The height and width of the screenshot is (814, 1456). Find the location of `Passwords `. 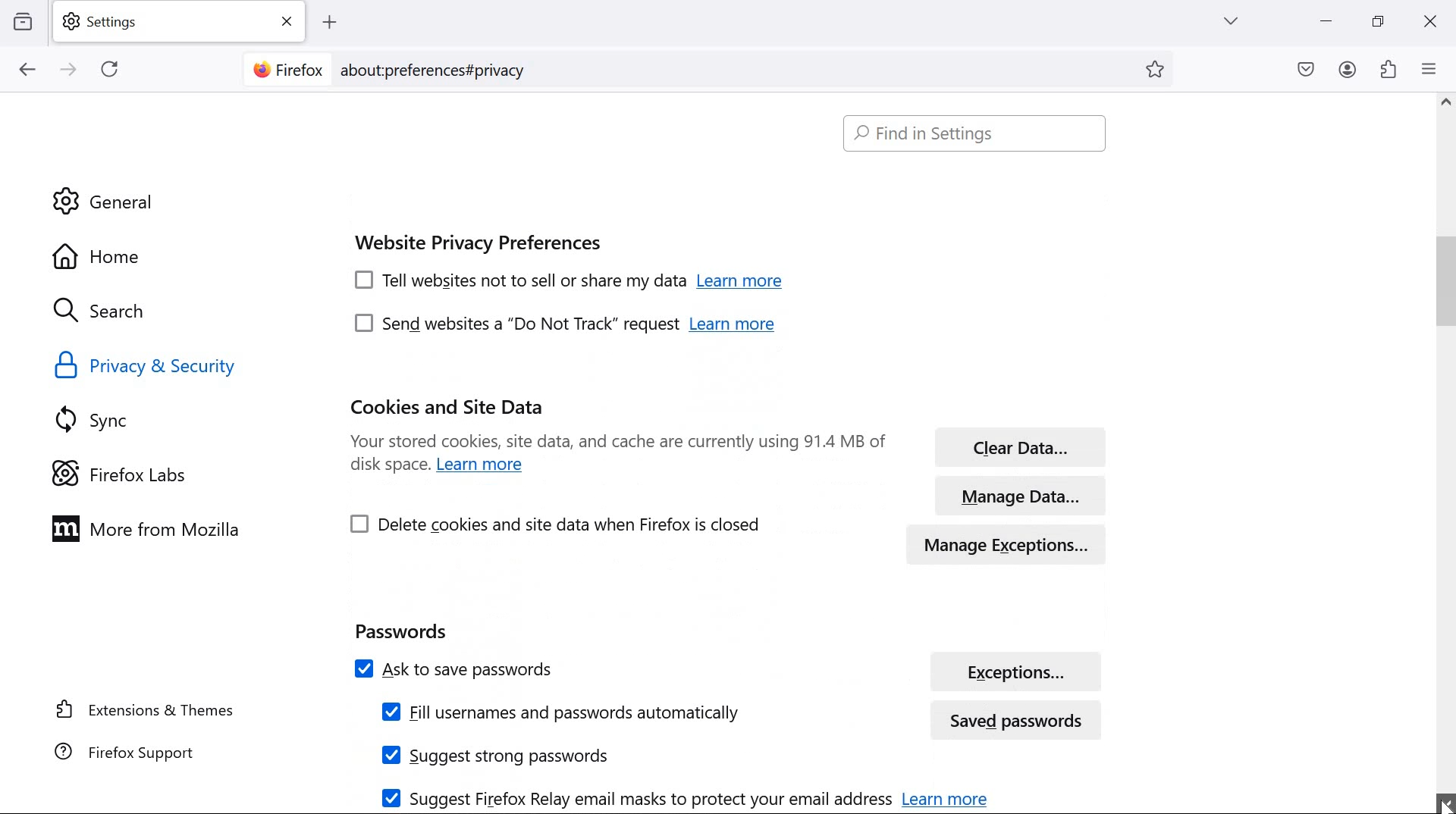

Passwords  is located at coordinates (602, 631).